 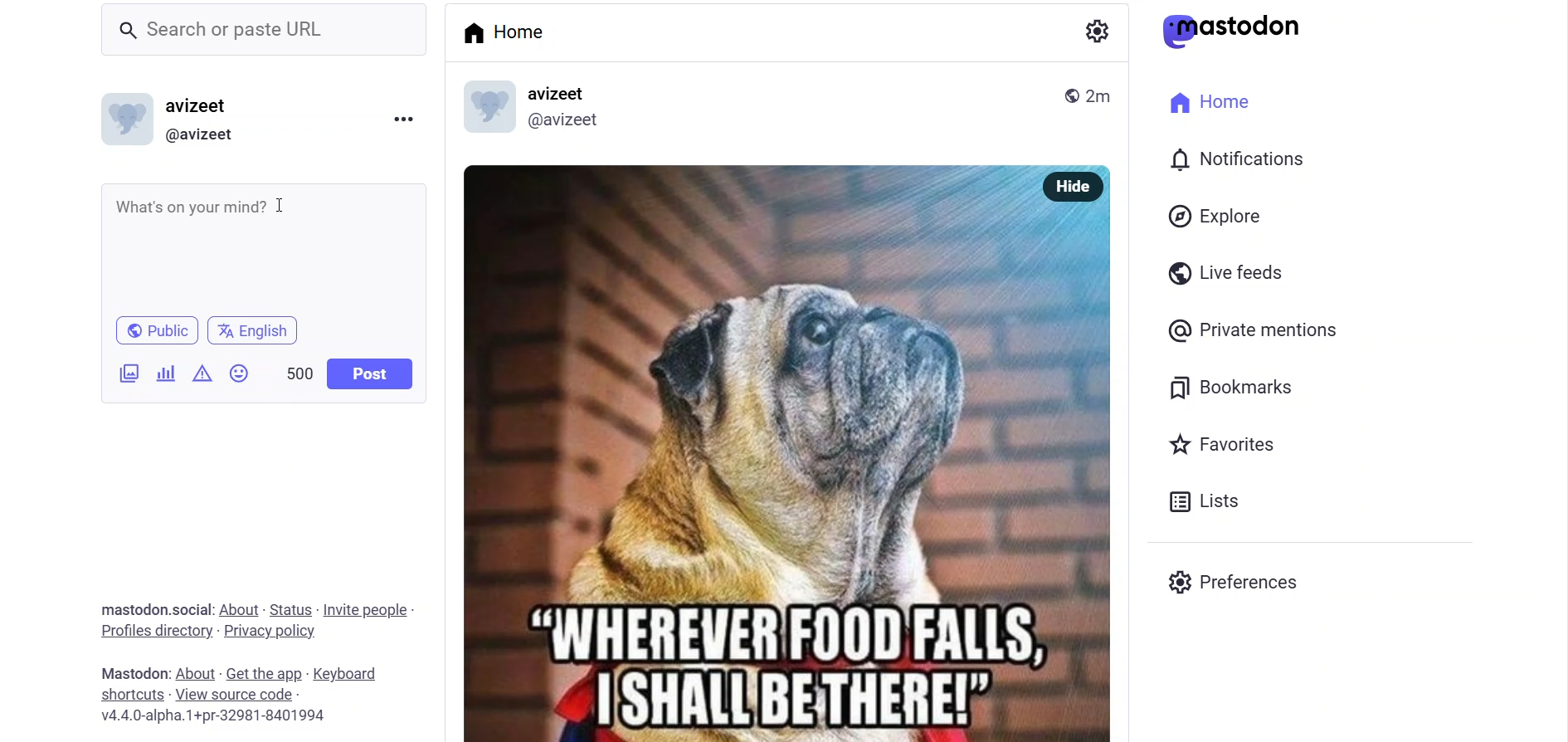 What do you see at coordinates (292, 211) in the screenshot?
I see `cursor` at bounding box center [292, 211].